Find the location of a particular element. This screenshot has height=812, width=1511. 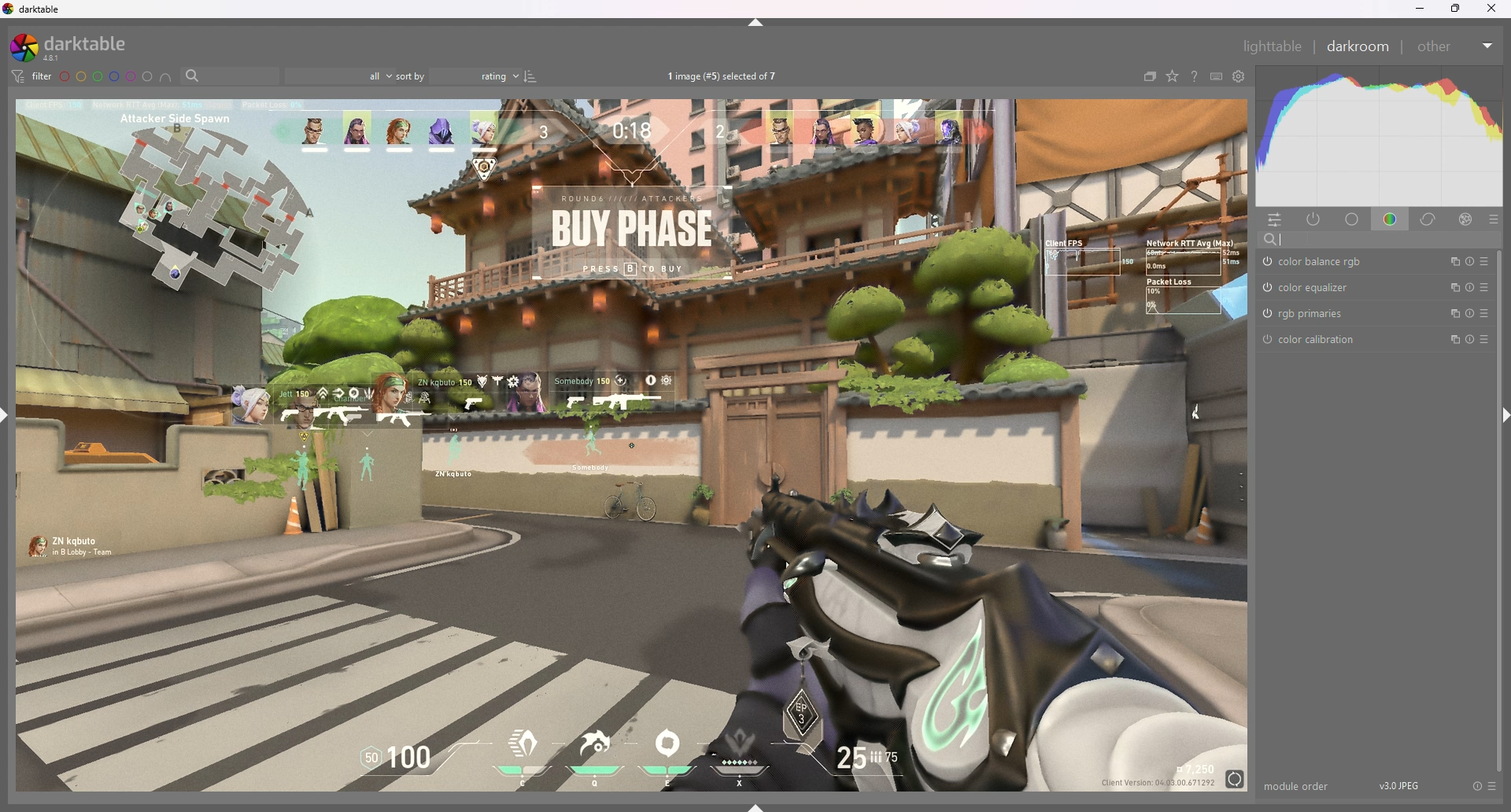

presets is located at coordinates (1485, 312).